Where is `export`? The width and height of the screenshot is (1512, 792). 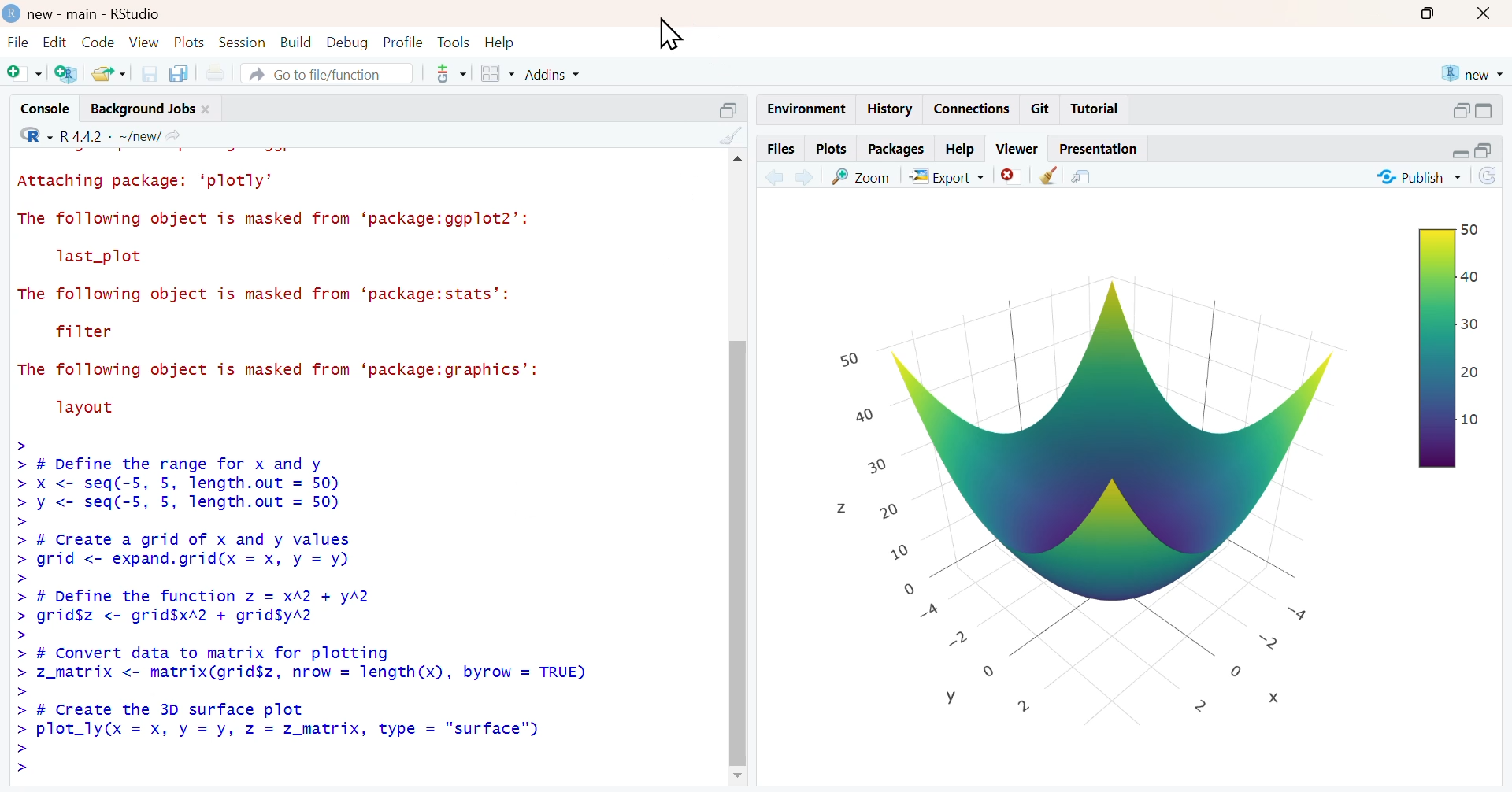 export is located at coordinates (952, 176).